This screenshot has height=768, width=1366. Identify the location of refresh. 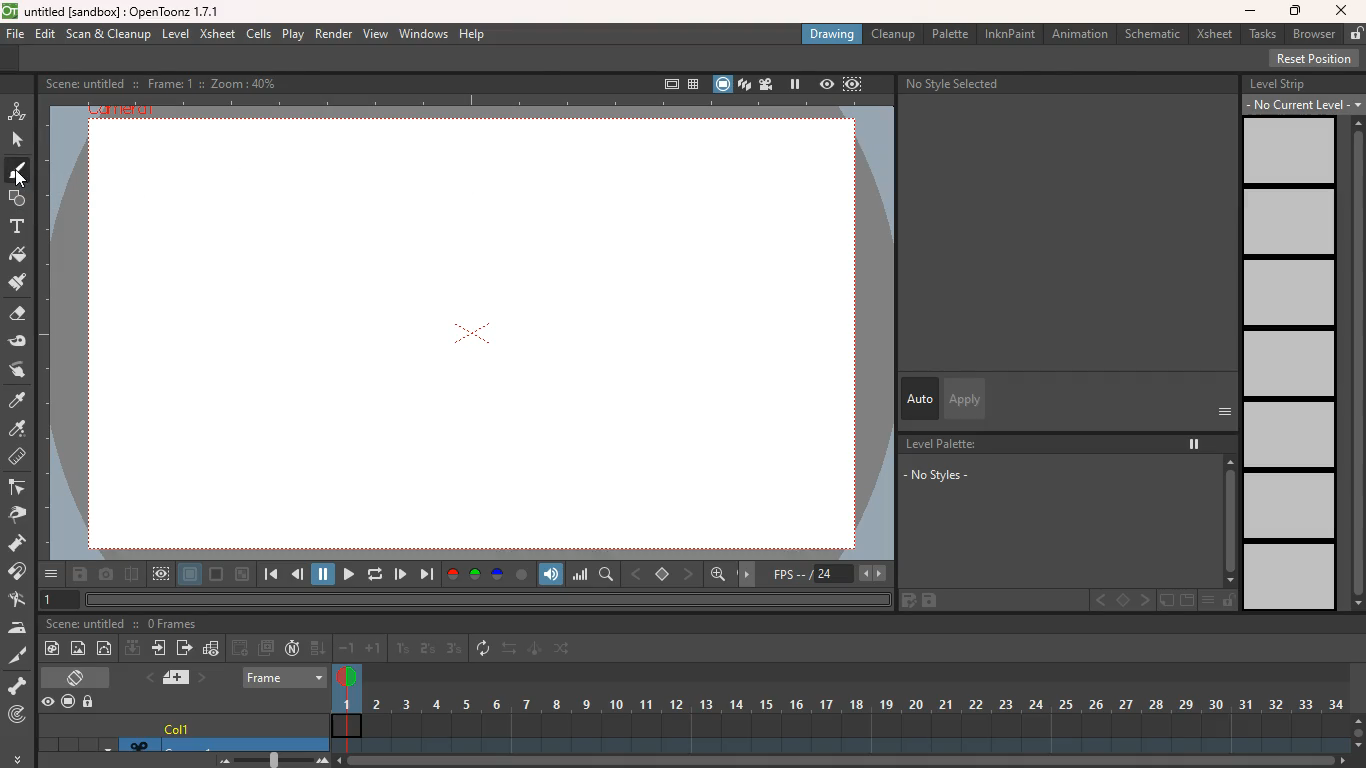
(484, 648).